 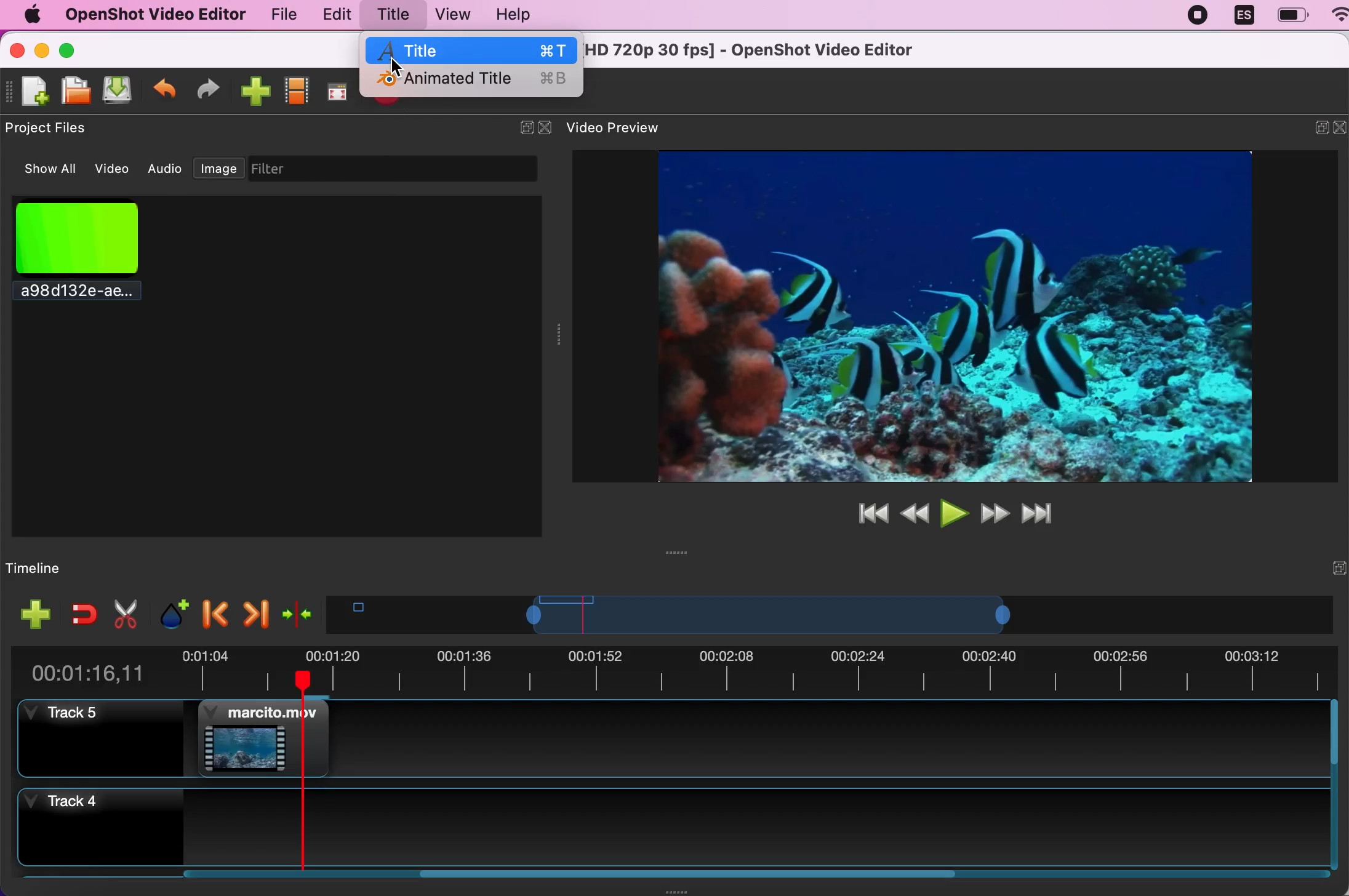 I want to click on close, so click(x=545, y=128).